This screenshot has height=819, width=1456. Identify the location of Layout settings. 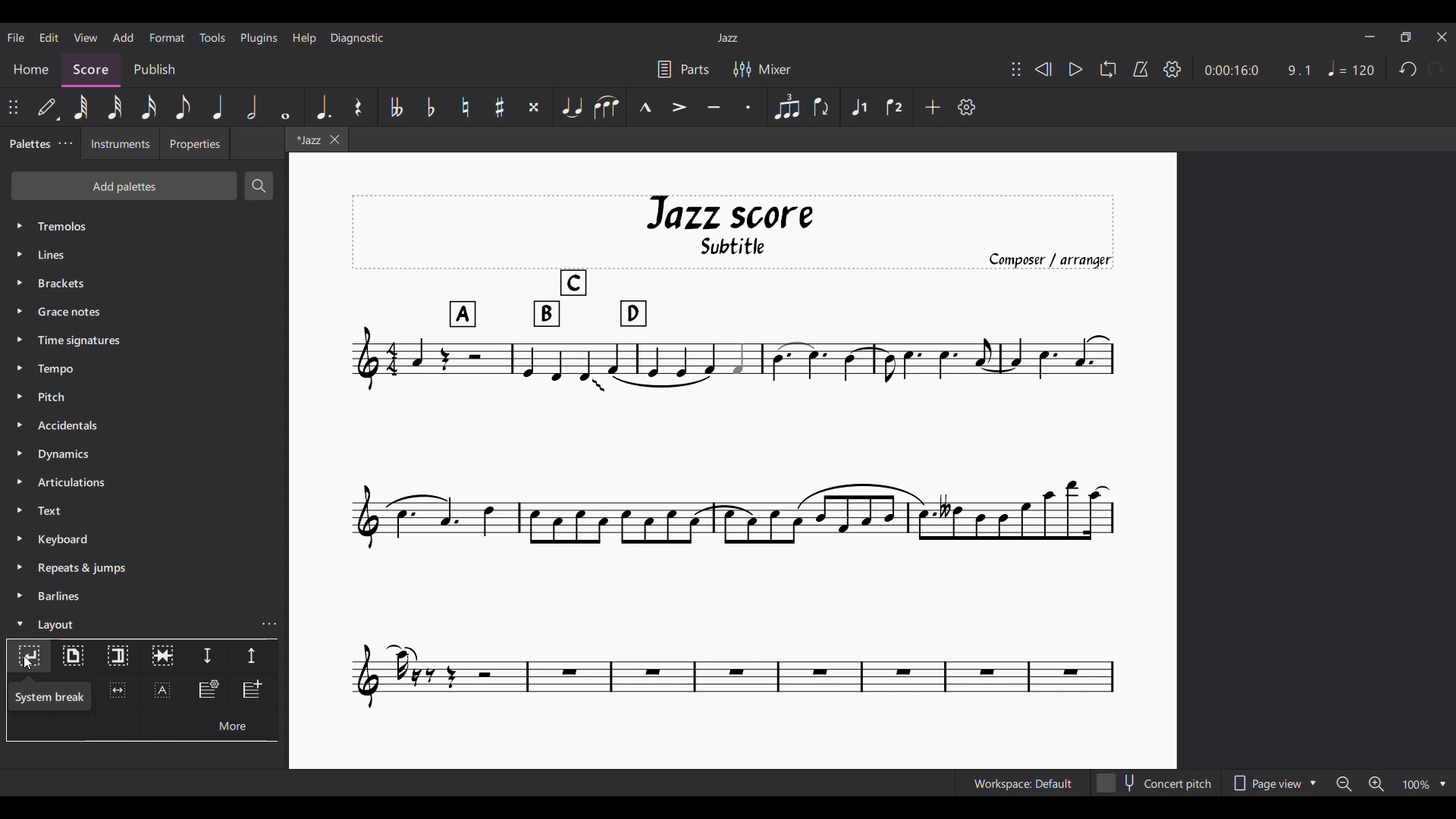
(269, 624).